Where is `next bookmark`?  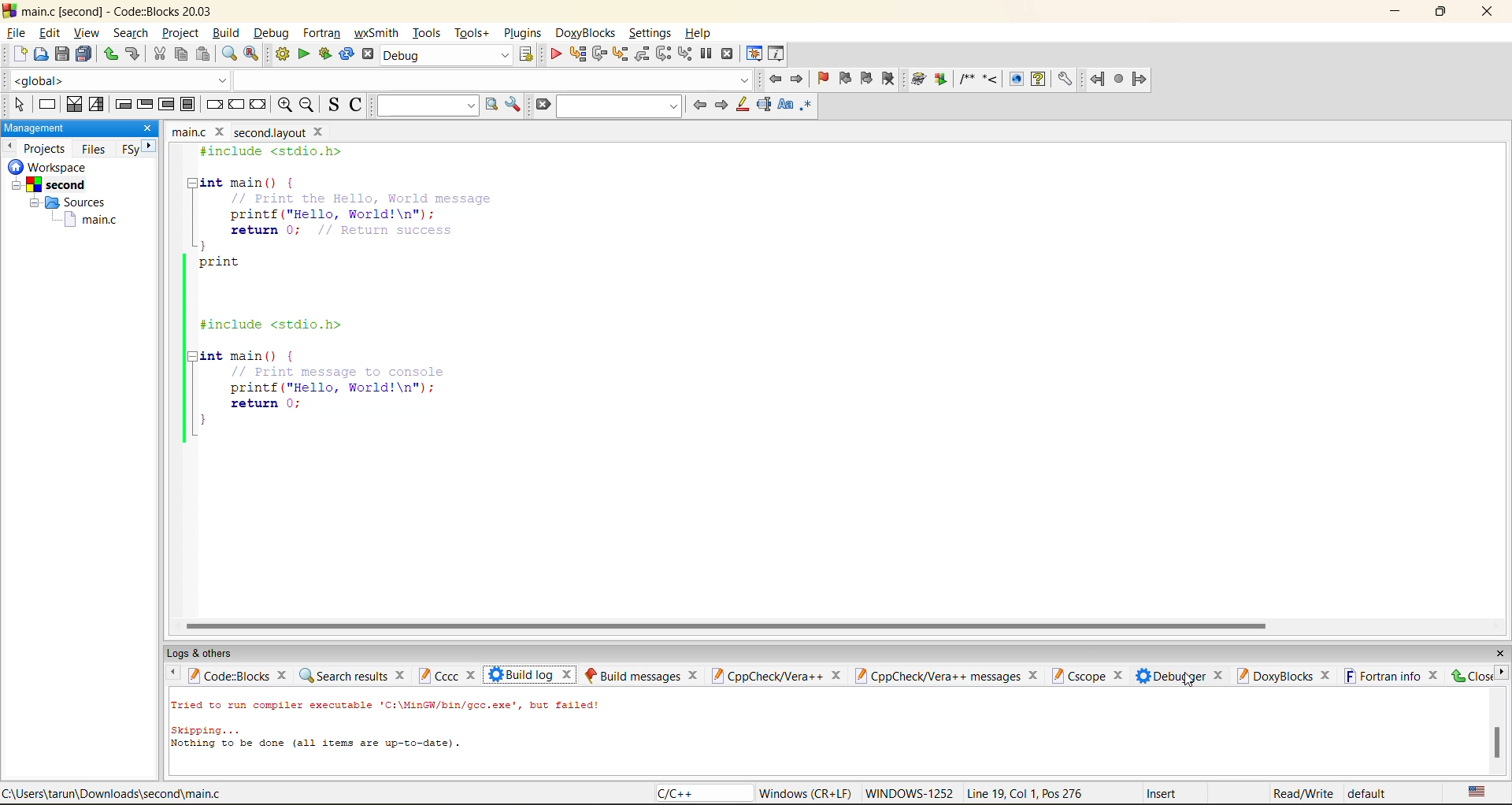
next bookmark is located at coordinates (868, 83).